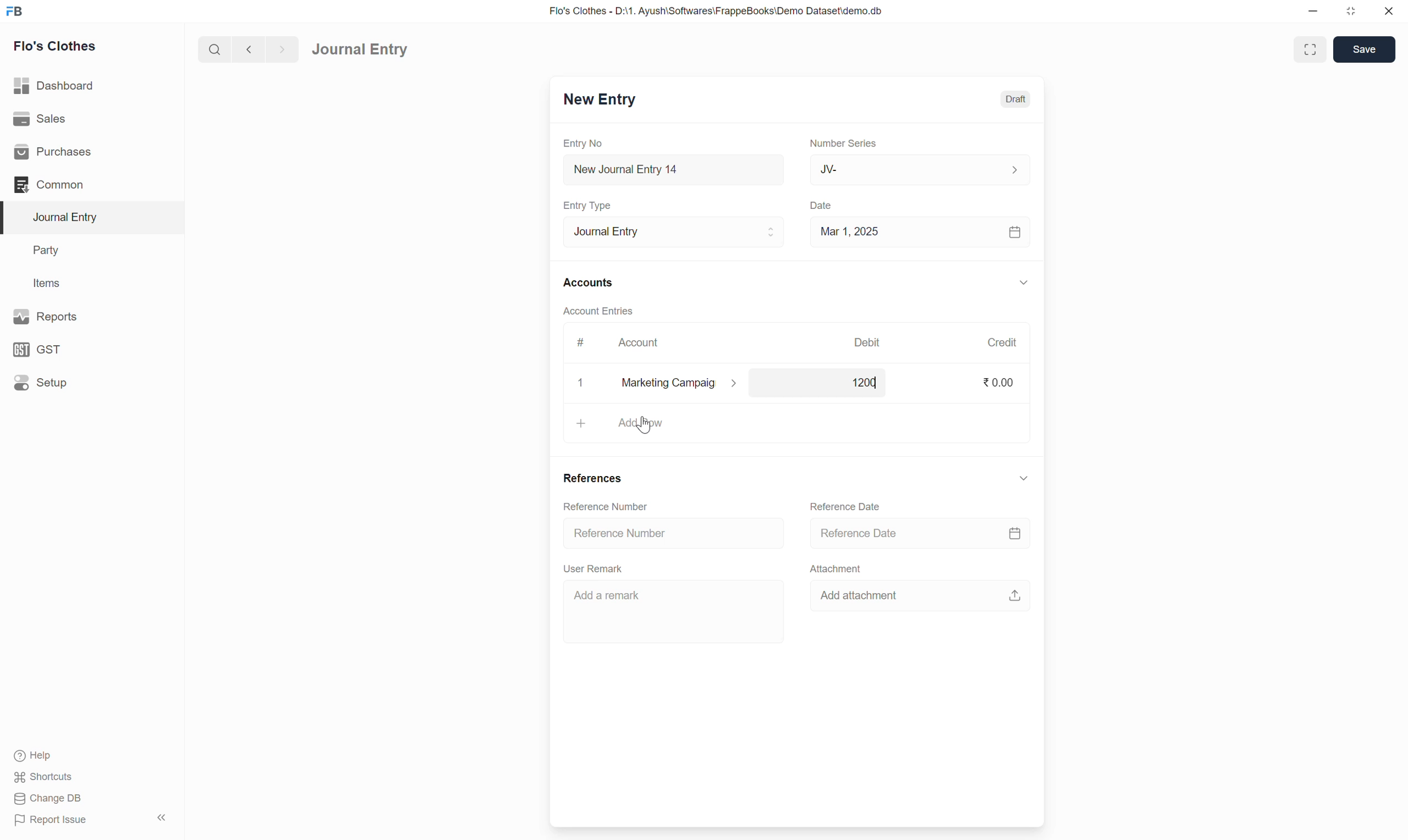 This screenshot has height=840, width=1408. I want to click on Attachment, so click(837, 568).